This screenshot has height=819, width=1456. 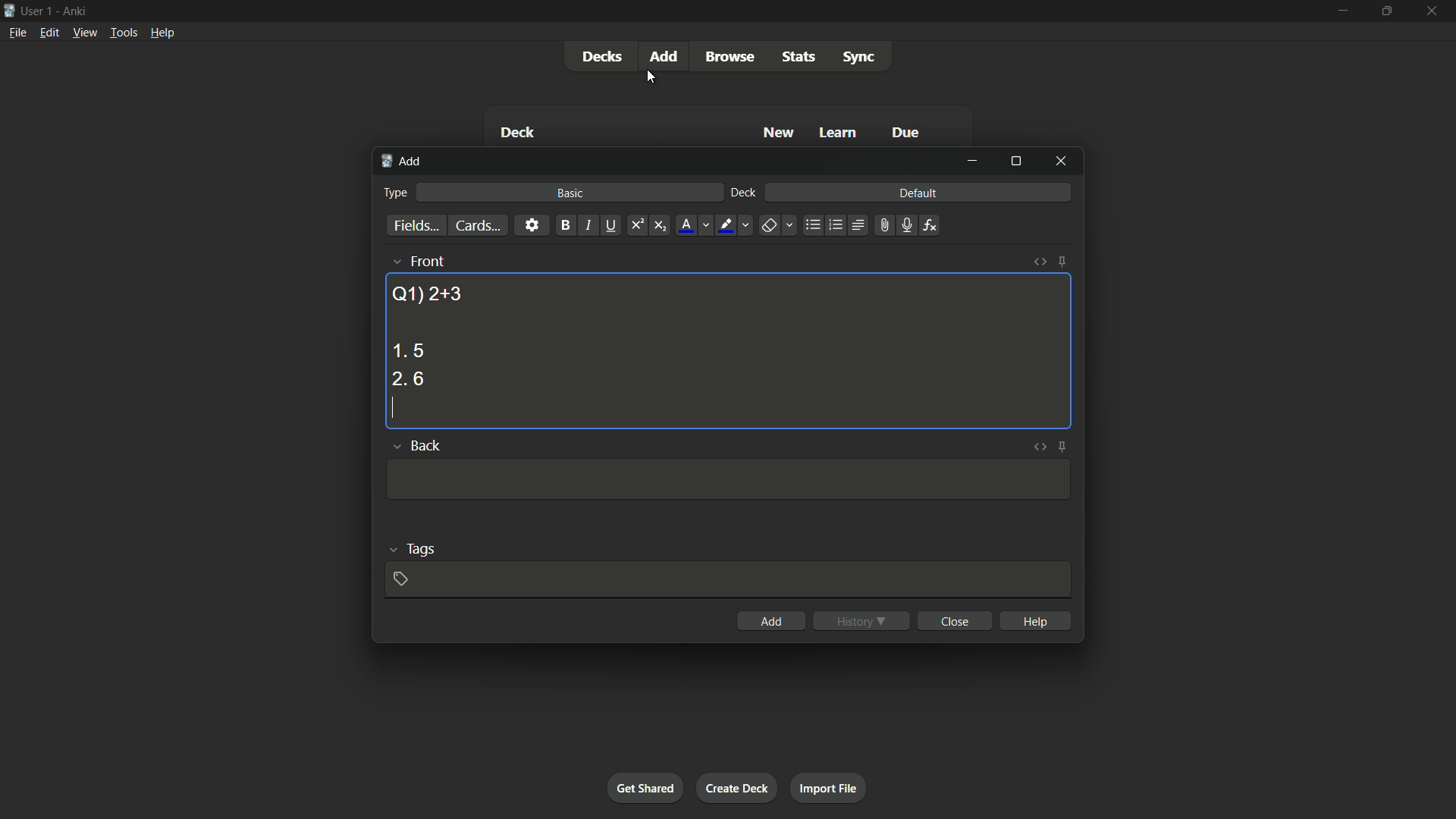 What do you see at coordinates (687, 225) in the screenshot?
I see `font color` at bounding box center [687, 225].